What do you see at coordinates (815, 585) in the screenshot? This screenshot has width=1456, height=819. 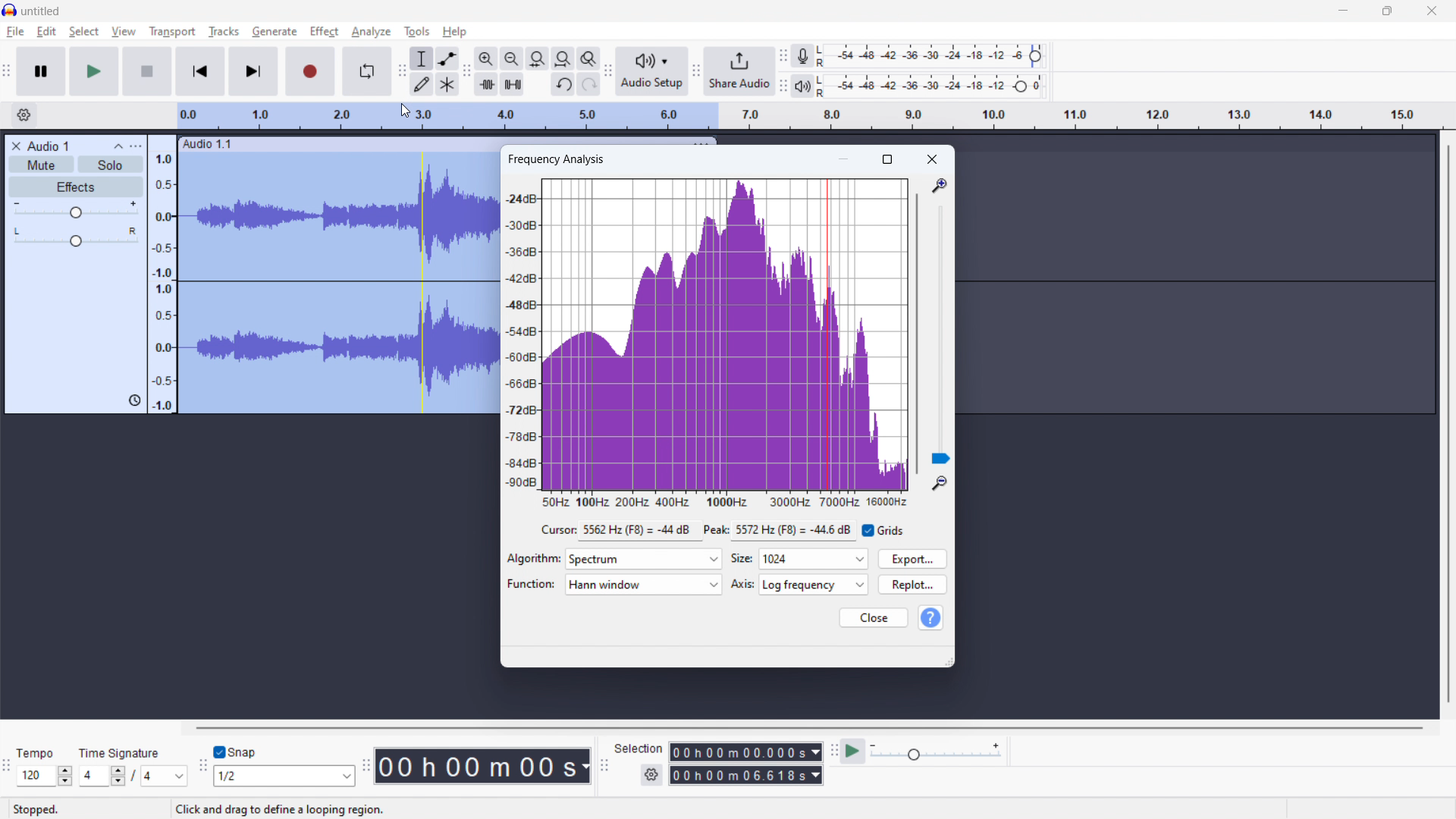 I see `set axis` at bounding box center [815, 585].